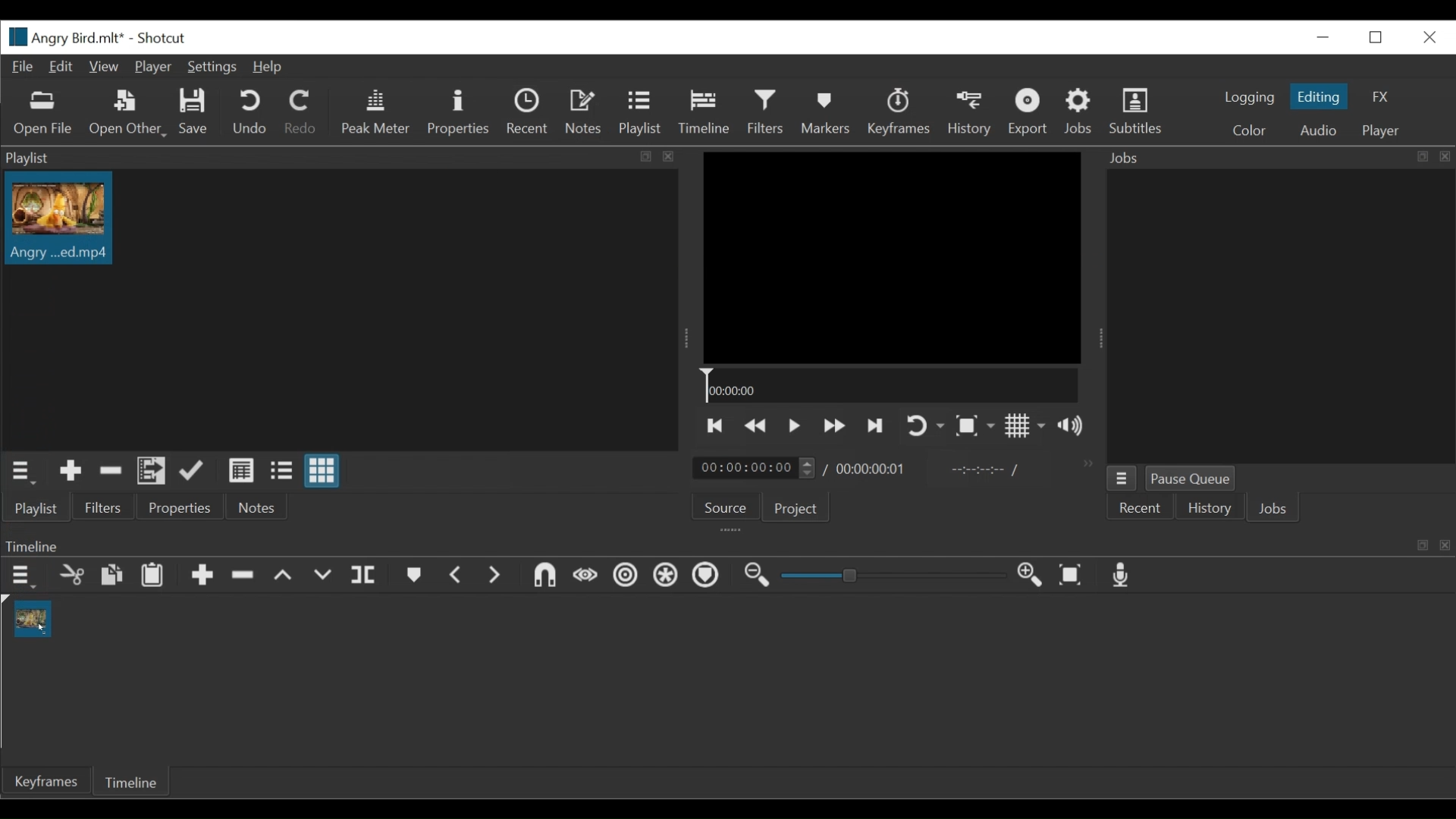 The height and width of the screenshot is (819, 1456). What do you see at coordinates (1376, 38) in the screenshot?
I see `Restore` at bounding box center [1376, 38].